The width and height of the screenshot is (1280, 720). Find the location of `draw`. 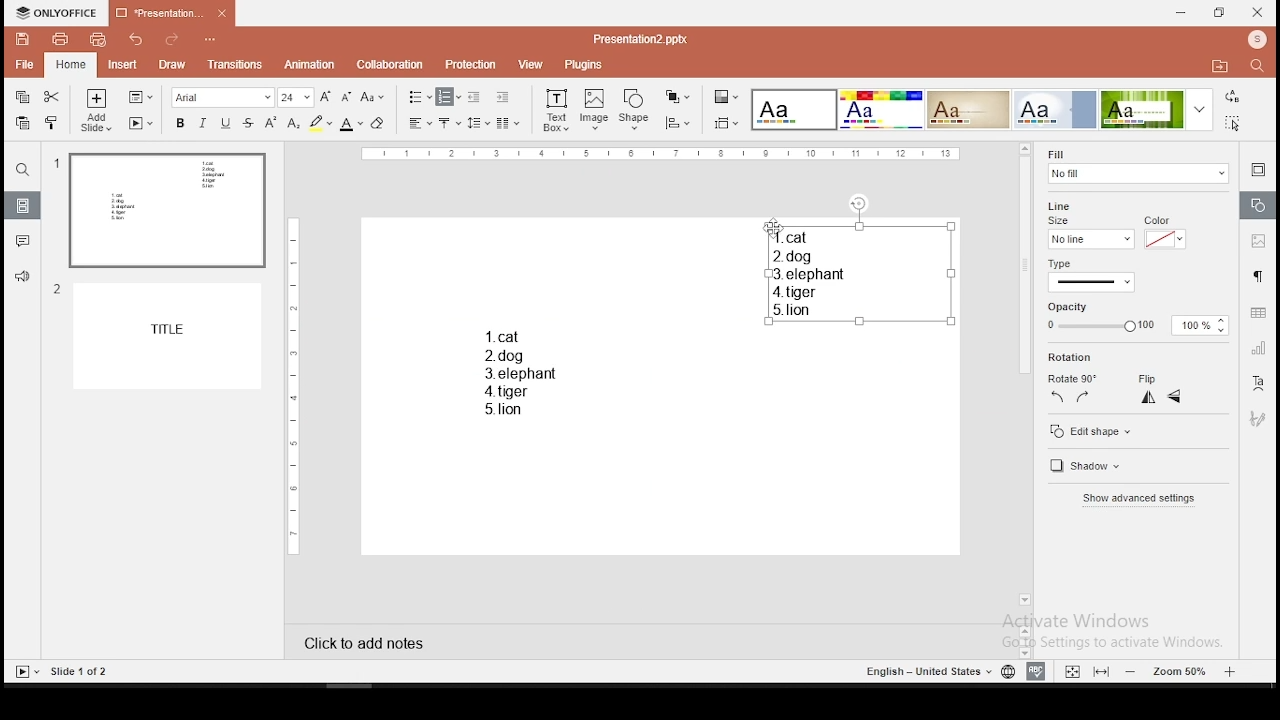

draw is located at coordinates (172, 66).